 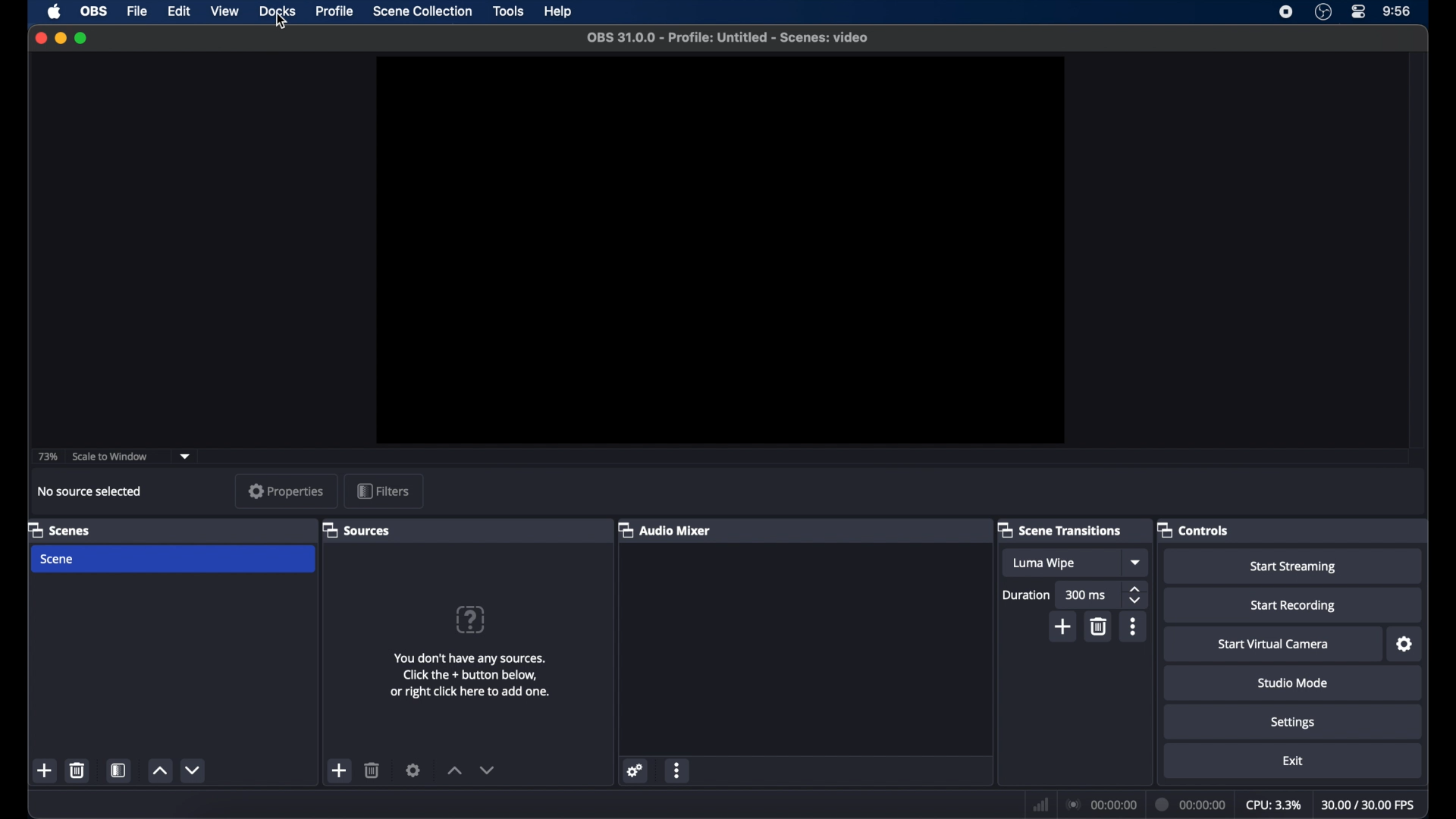 What do you see at coordinates (1292, 682) in the screenshot?
I see `studio mode` at bounding box center [1292, 682].